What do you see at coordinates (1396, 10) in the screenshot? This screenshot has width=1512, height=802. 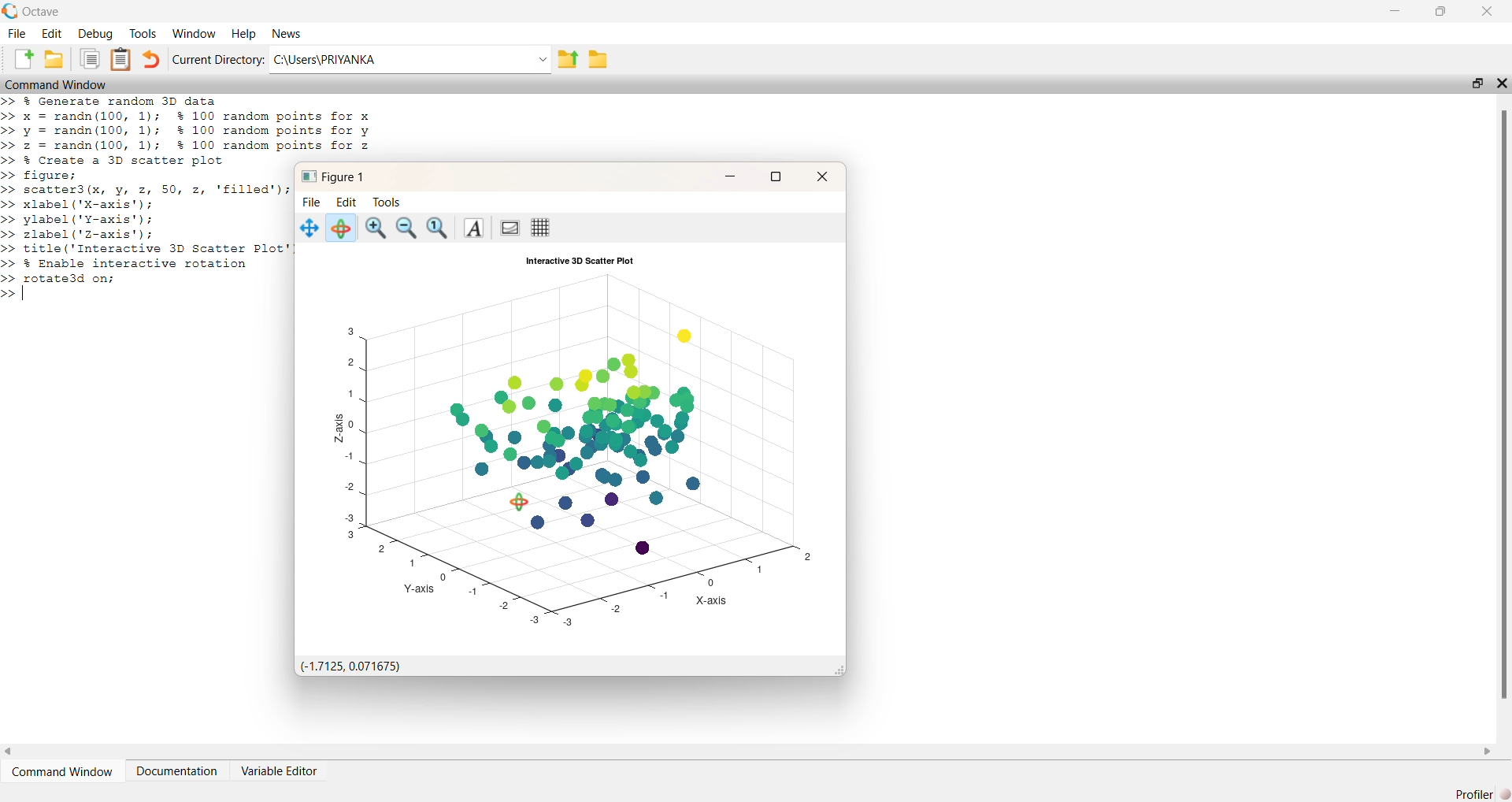 I see `minimize` at bounding box center [1396, 10].